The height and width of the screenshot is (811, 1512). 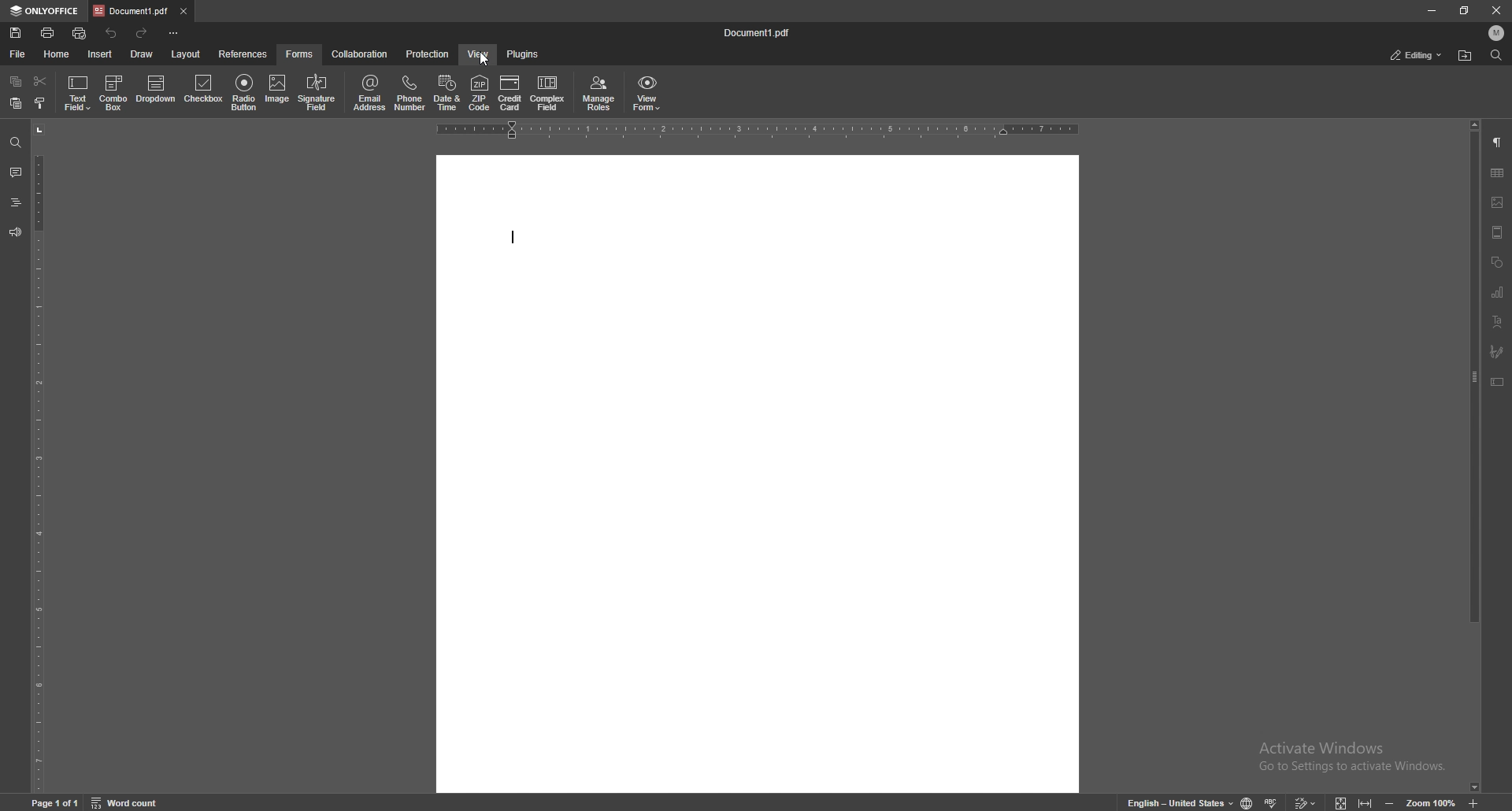 What do you see at coordinates (1390, 803) in the screenshot?
I see `zoom out` at bounding box center [1390, 803].